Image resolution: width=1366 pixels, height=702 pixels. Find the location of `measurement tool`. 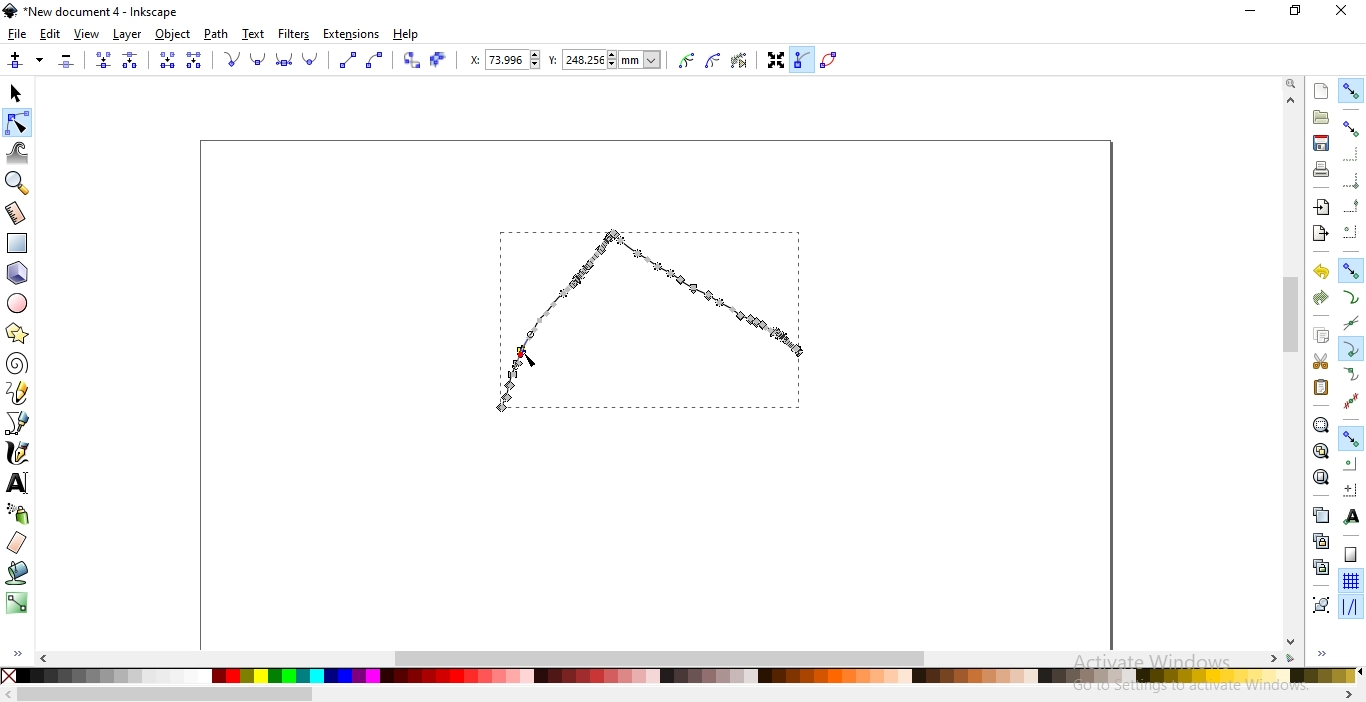

measurement tool is located at coordinates (16, 215).